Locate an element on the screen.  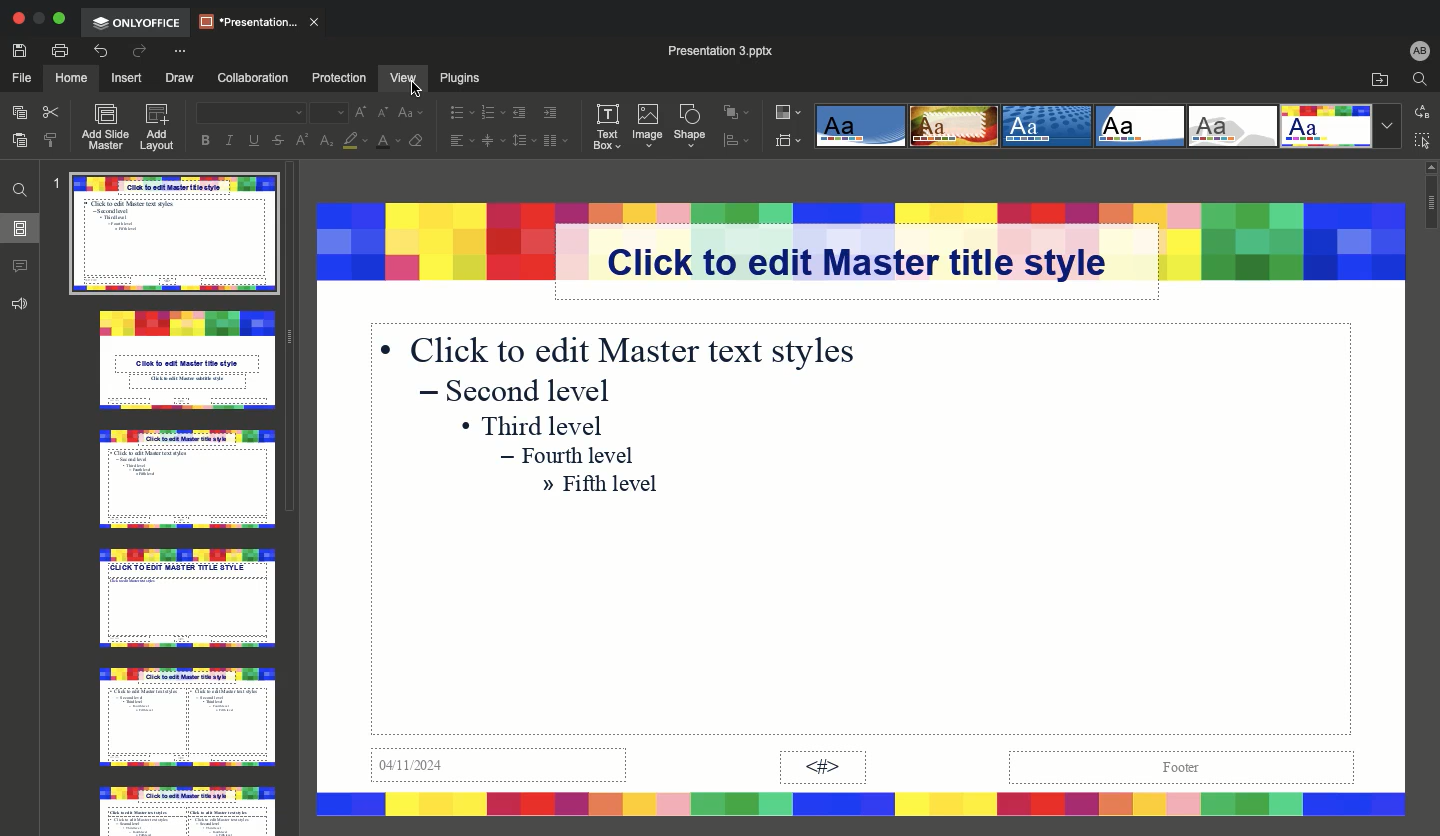
Shape is located at coordinates (692, 128).